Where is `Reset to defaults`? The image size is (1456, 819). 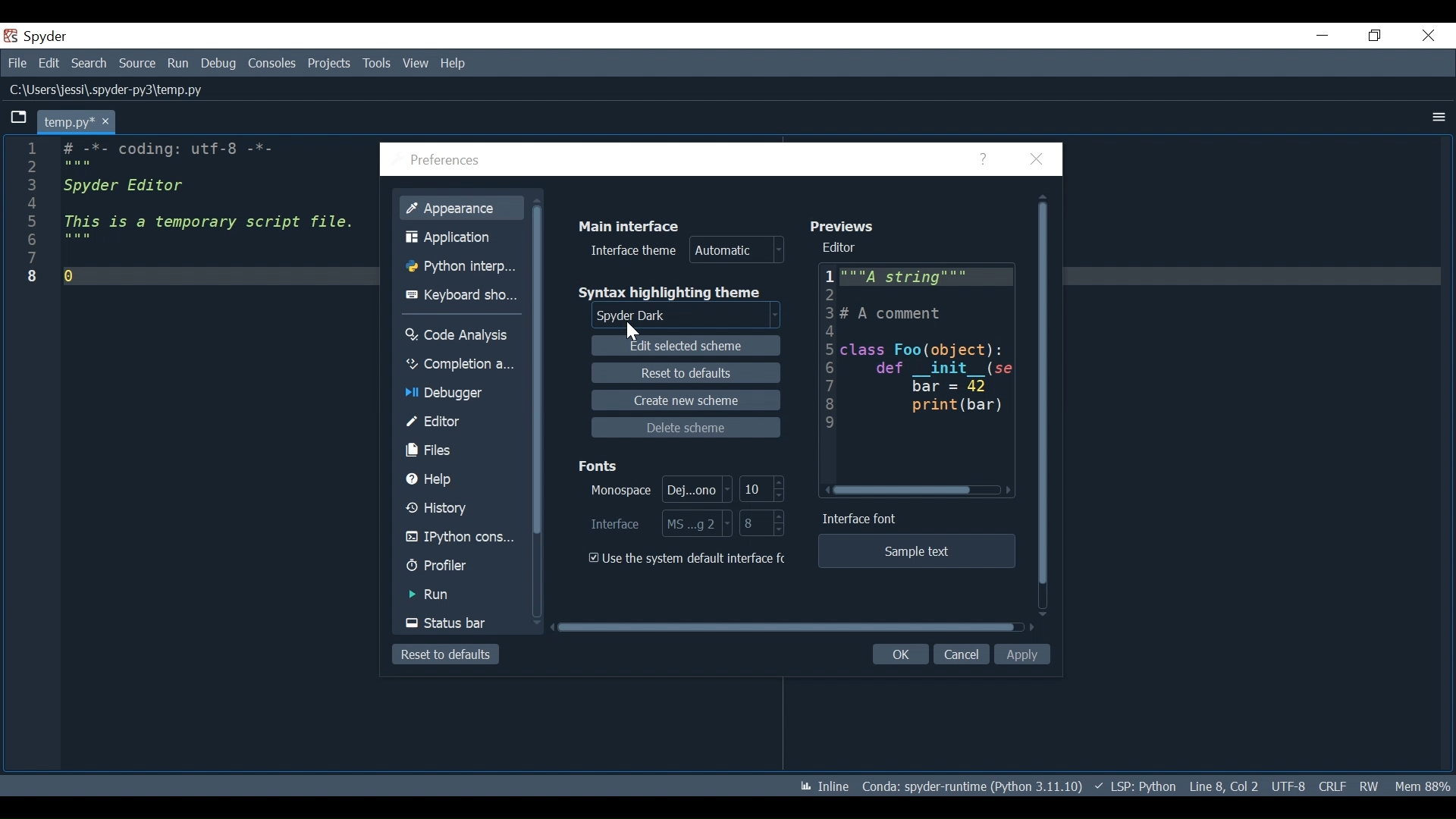 Reset to defaults is located at coordinates (685, 374).